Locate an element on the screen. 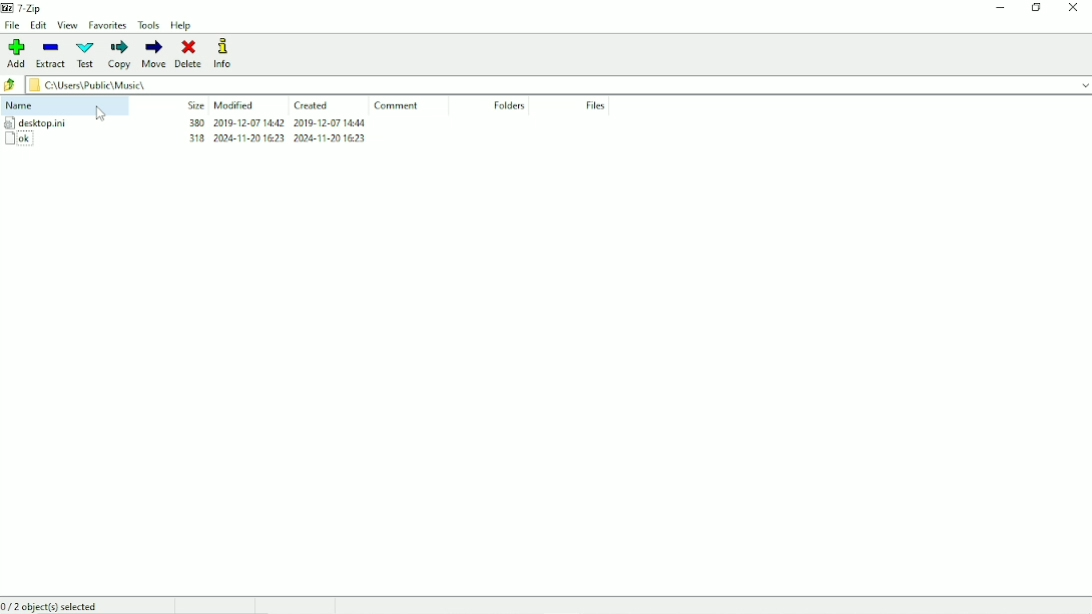 Image resolution: width=1092 pixels, height=614 pixels. File is located at coordinates (12, 25).